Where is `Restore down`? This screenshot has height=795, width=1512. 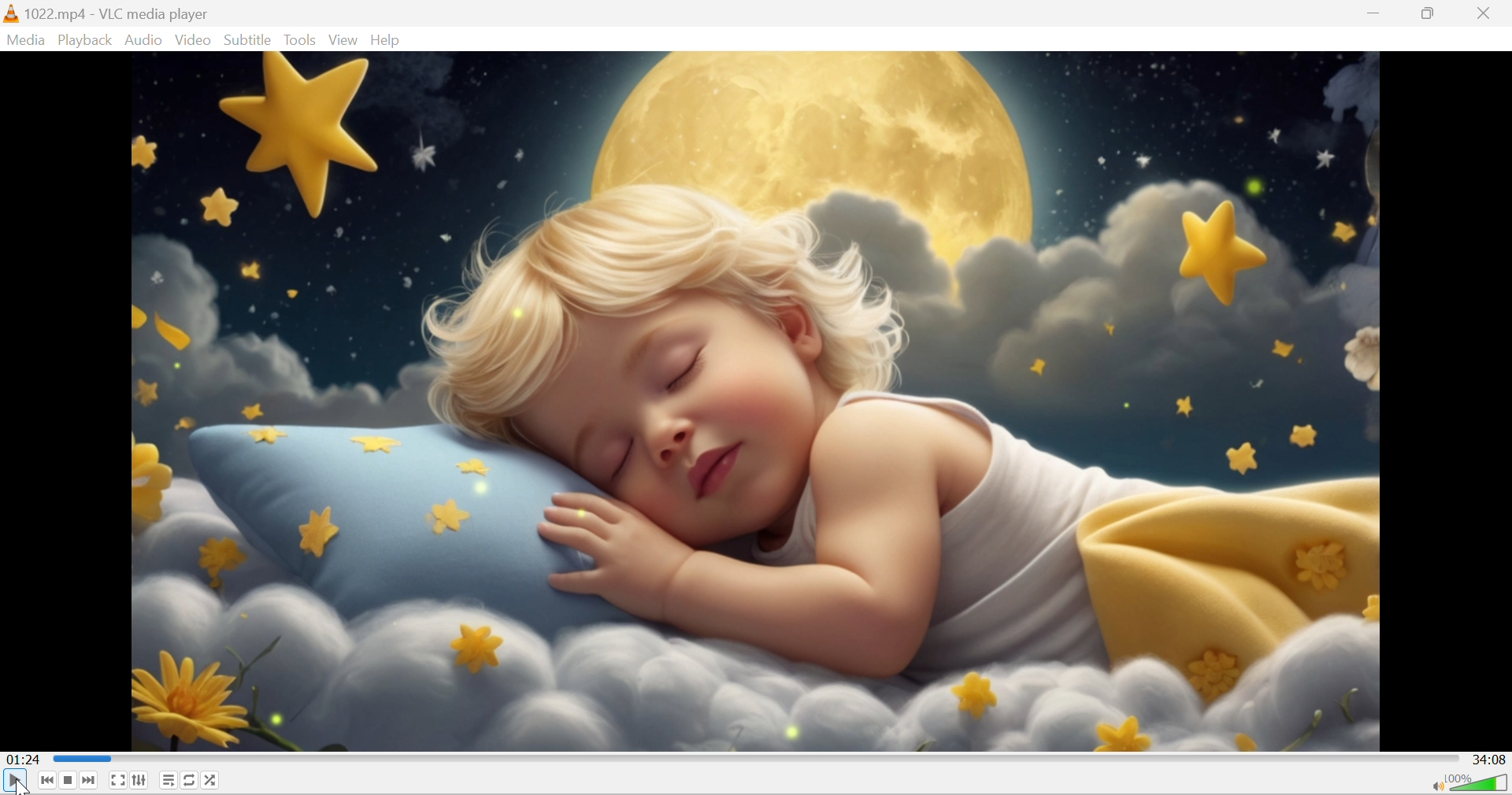
Restore down is located at coordinates (1429, 13).